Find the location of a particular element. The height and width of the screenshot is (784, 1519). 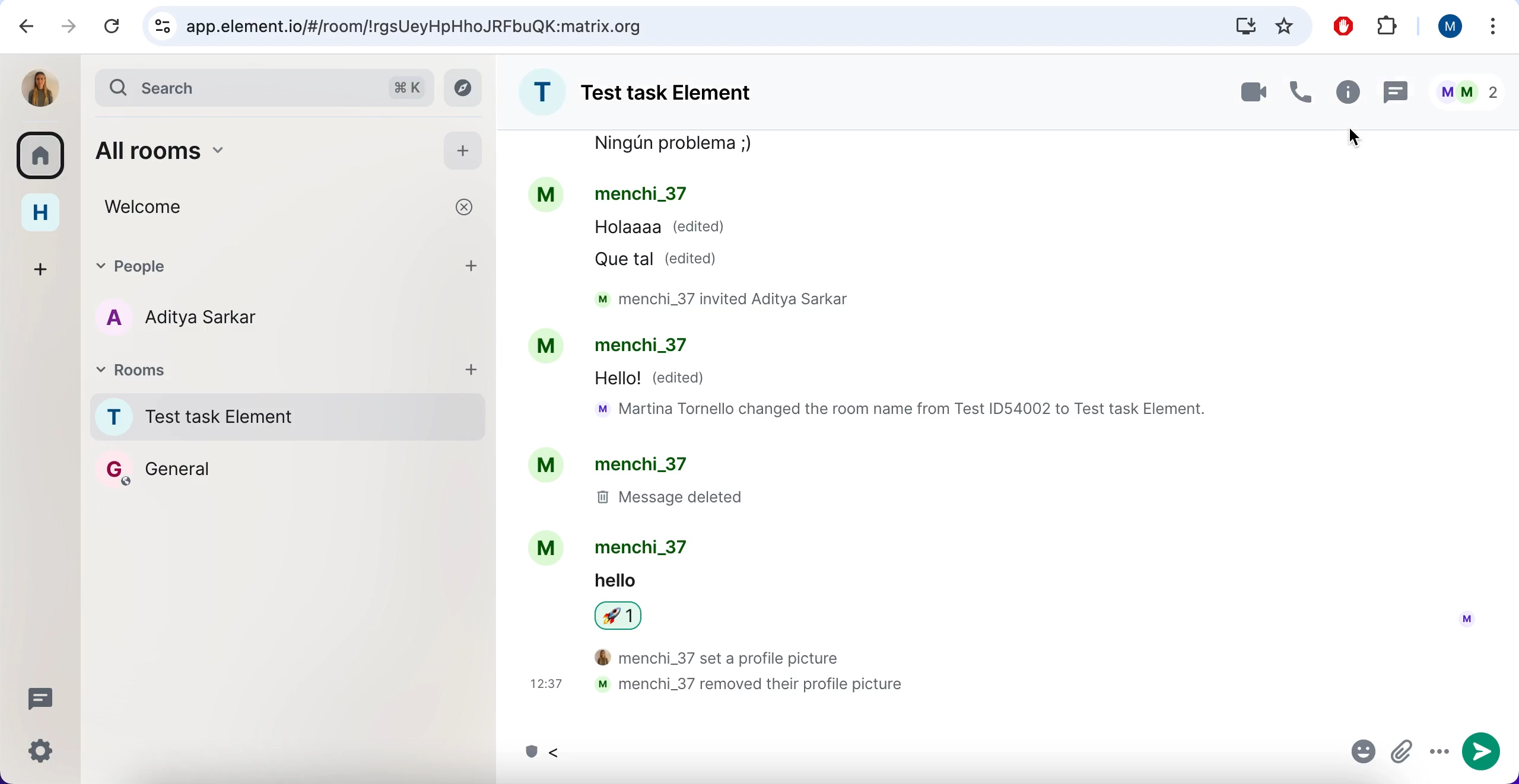

extensions is located at coordinates (1389, 28).